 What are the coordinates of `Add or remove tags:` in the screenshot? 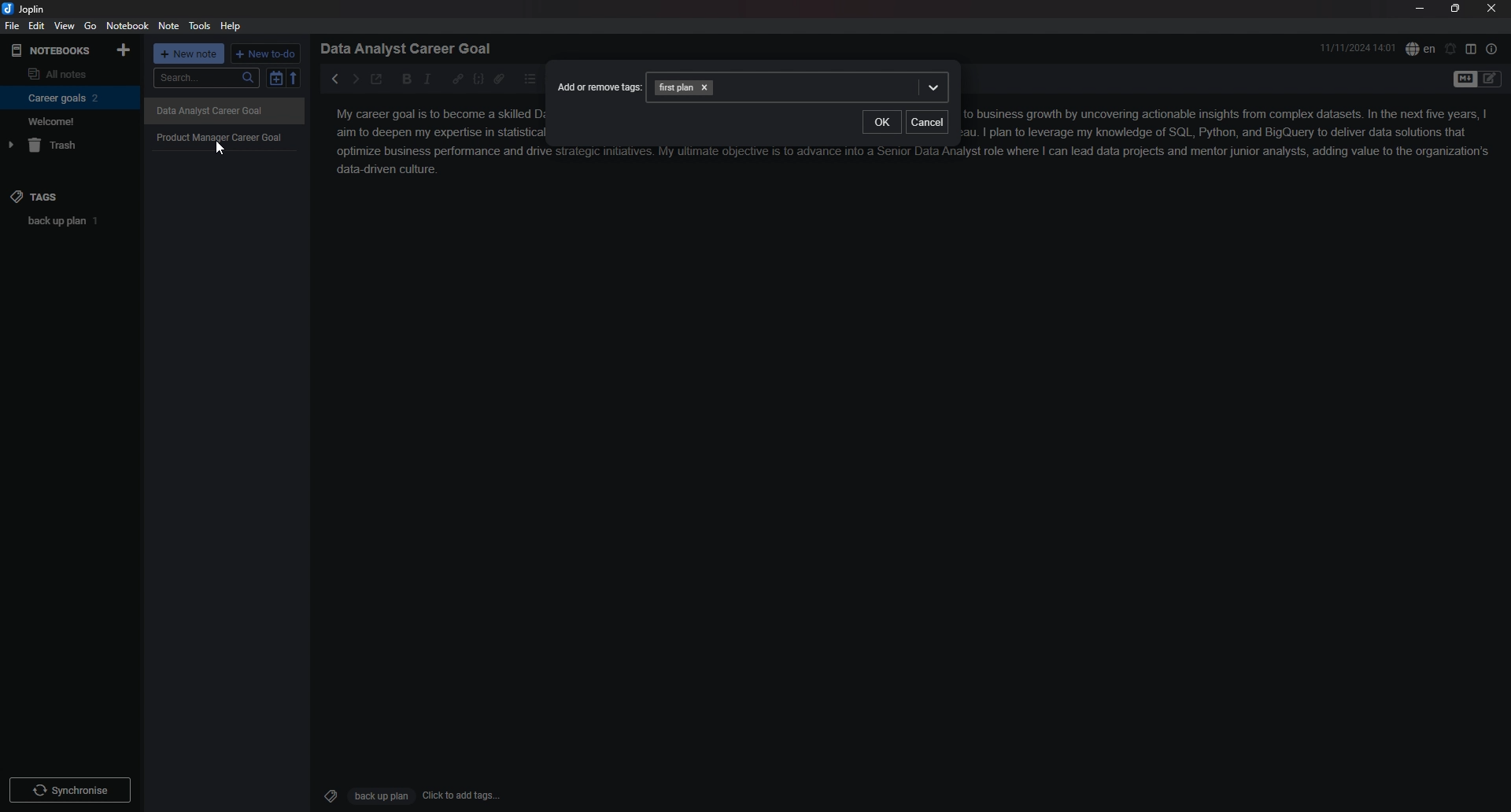 It's located at (594, 81).